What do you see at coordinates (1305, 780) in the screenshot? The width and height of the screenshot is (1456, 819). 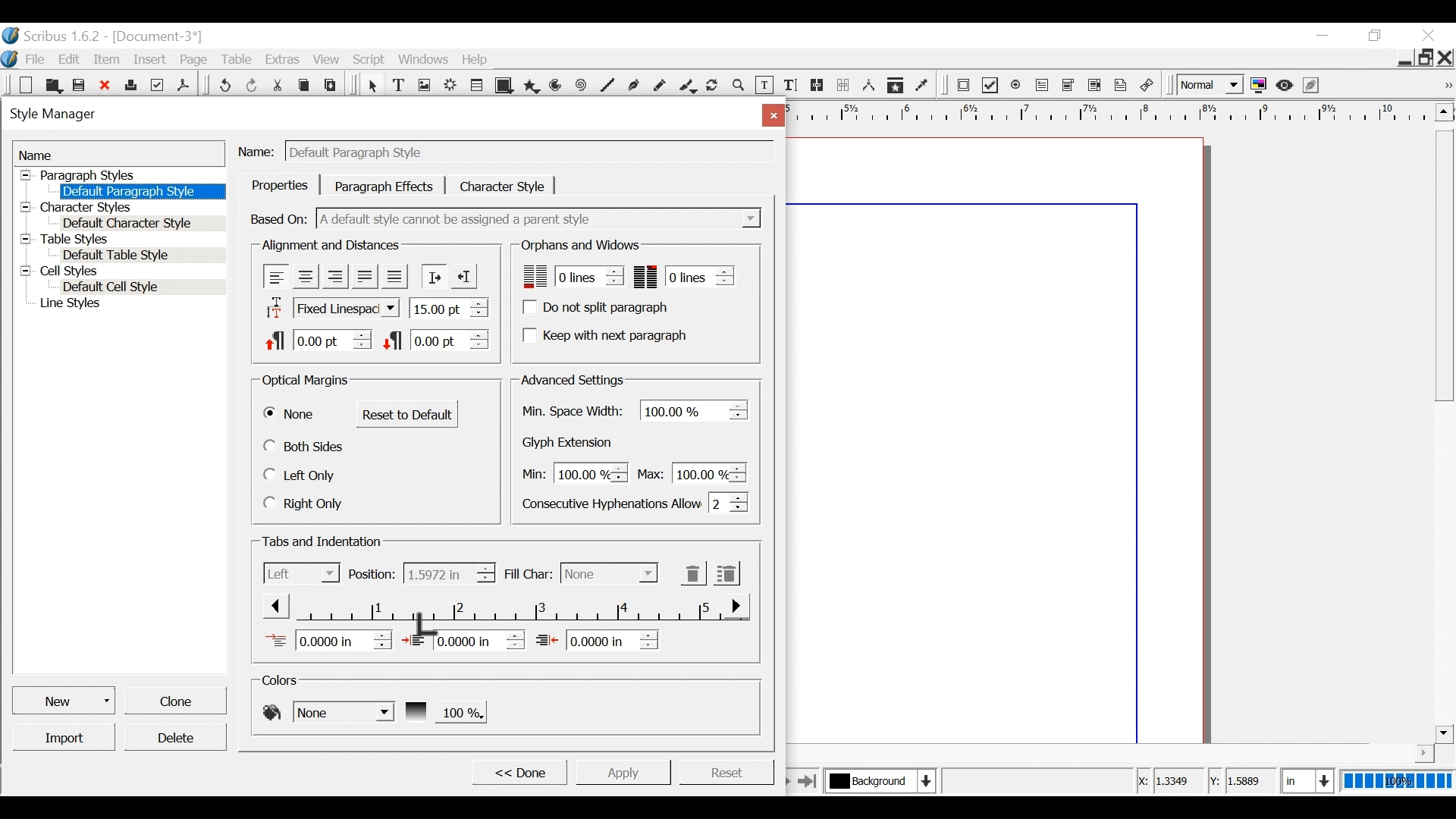 I see `Select the current unit` at bounding box center [1305, 780].